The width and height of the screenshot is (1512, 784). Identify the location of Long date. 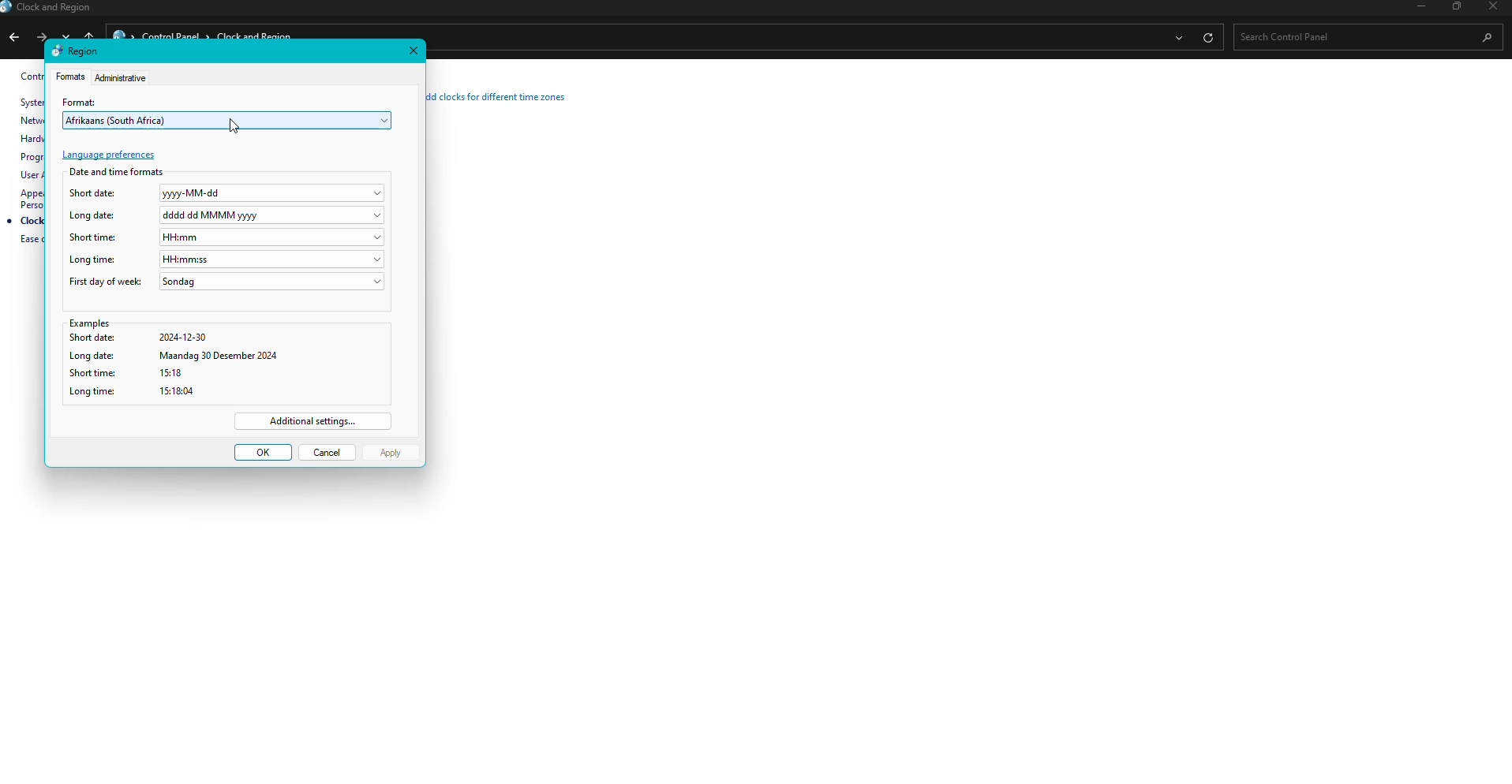
(227, 215).